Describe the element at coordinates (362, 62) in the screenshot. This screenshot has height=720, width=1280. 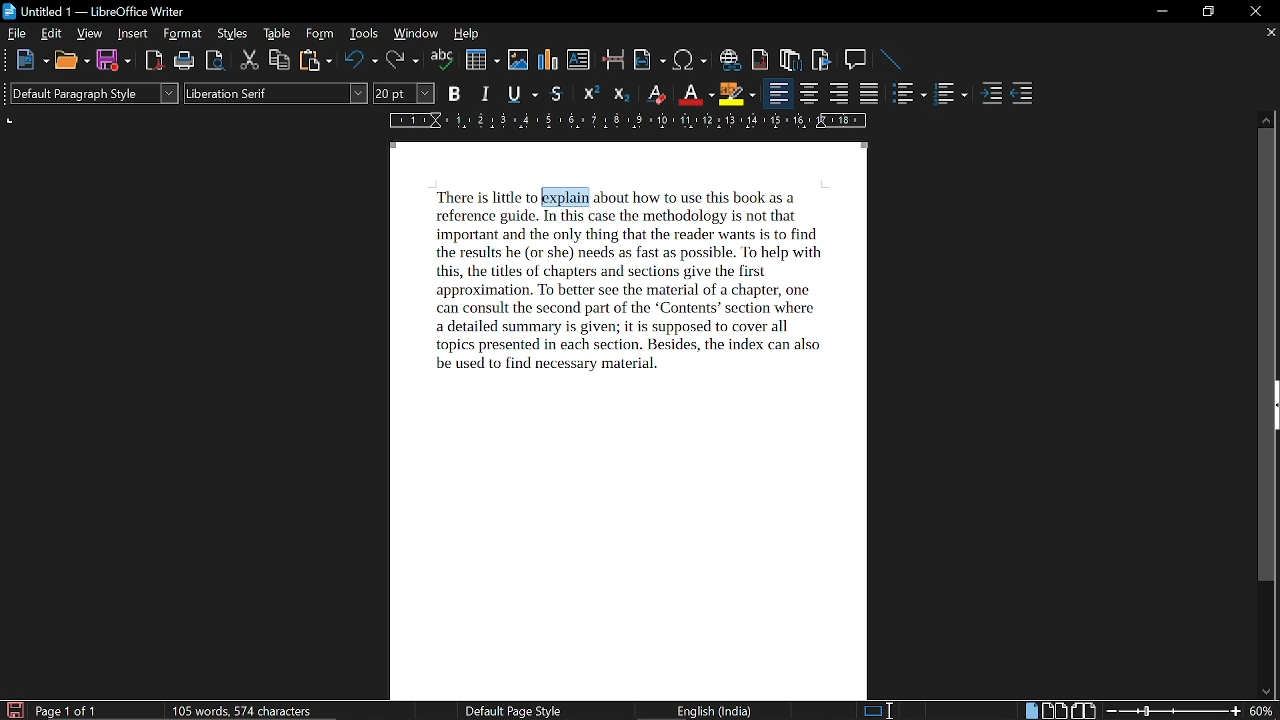
I see `undo` at that location.